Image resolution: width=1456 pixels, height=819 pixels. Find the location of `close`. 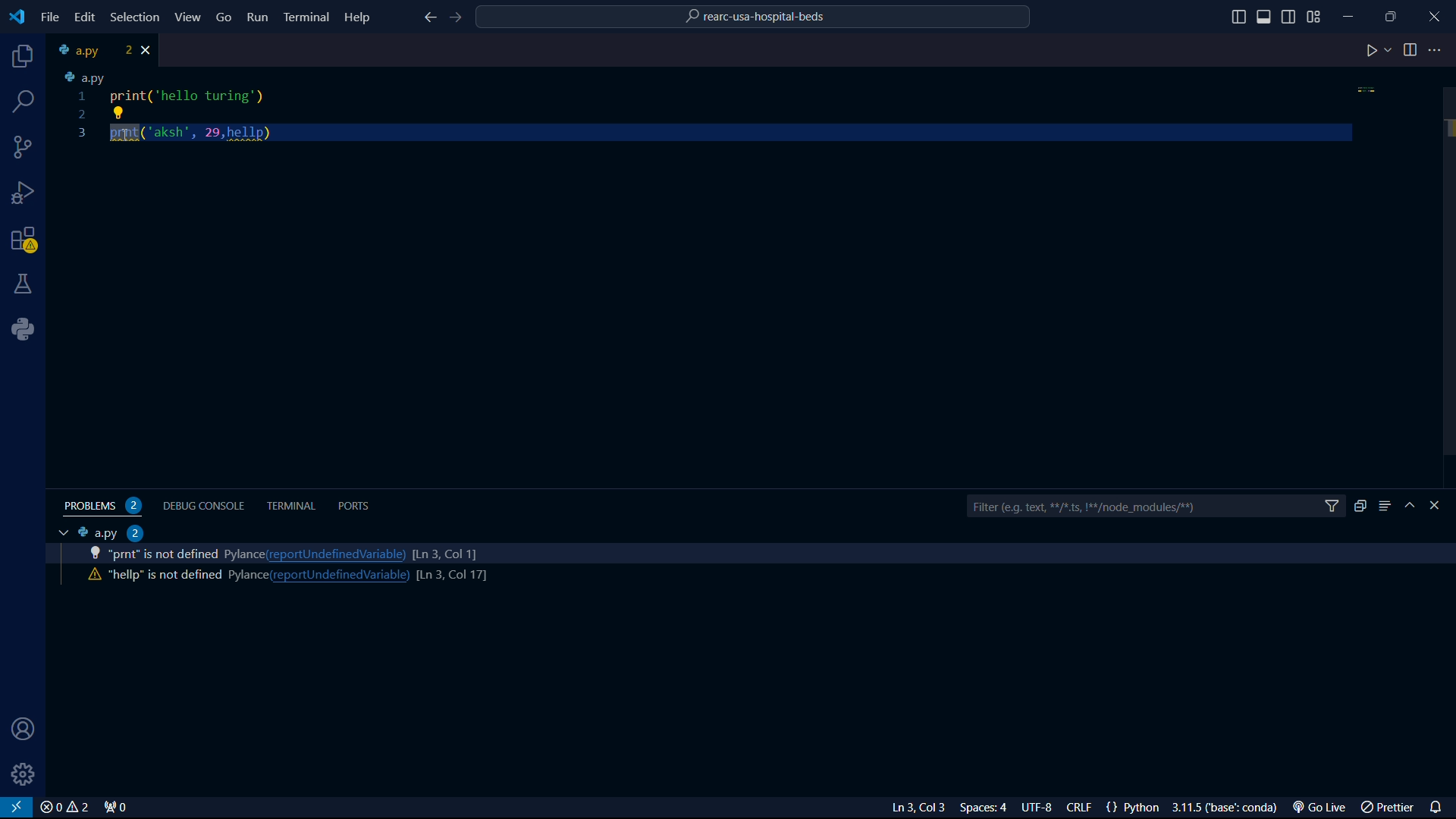

close is located at coordinates (64, 808).